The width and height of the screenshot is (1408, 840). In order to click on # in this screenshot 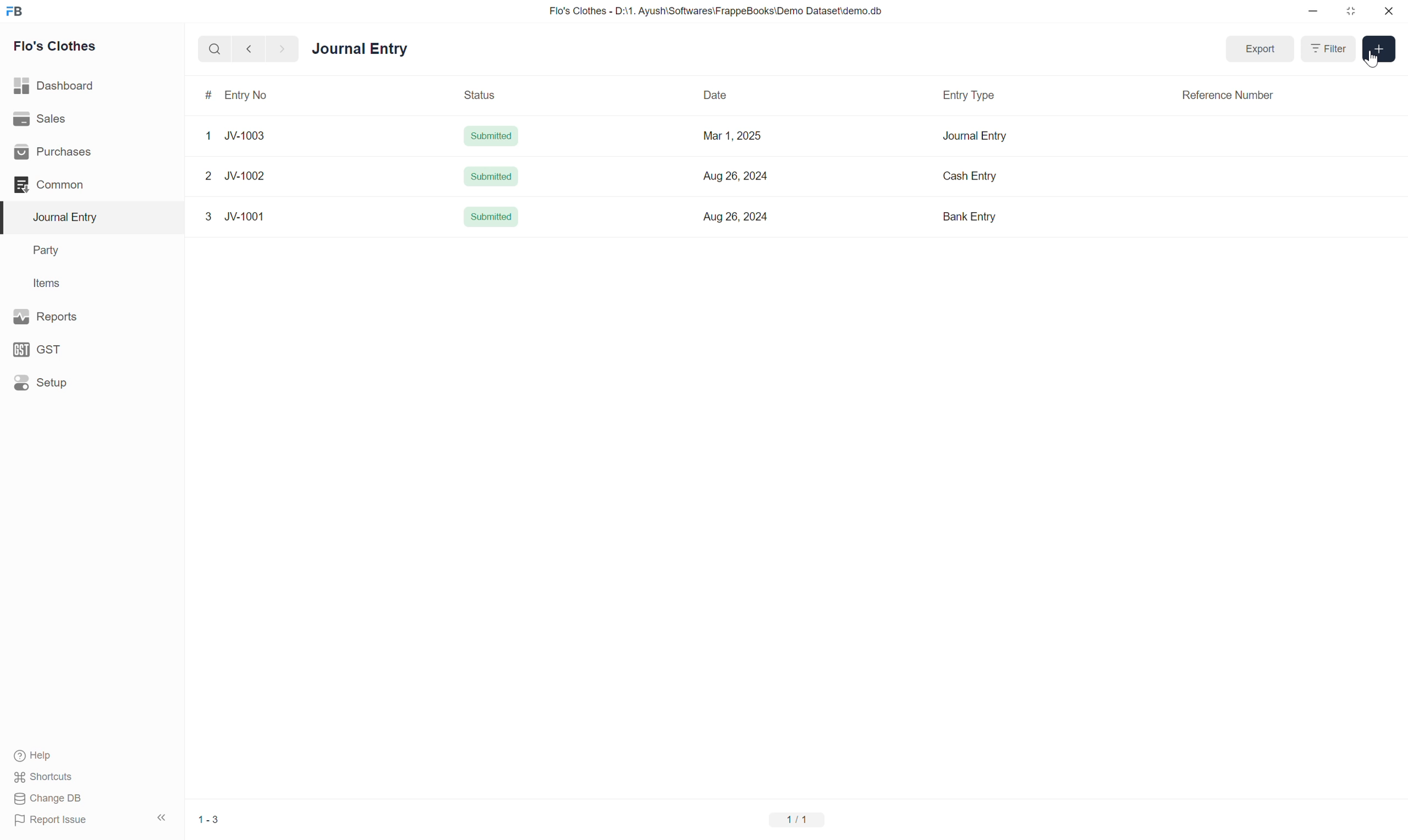, I will do `click(209, 95)`.